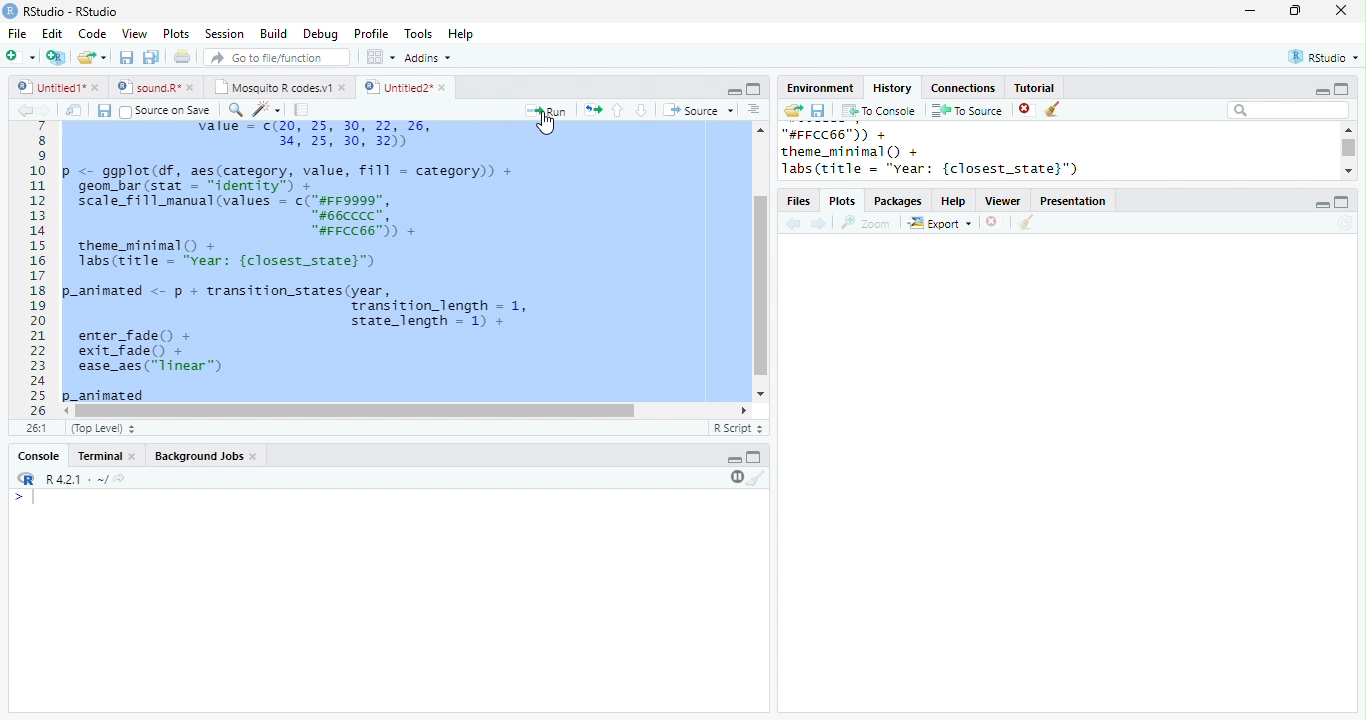 The height and width of the screenshot is (720, 1366). Describe the element at coordinates (290, 200) in the screenshot. I see `p <- ggplot(df, aes(category, value, fill = category)) +geom_bar (stat = “identity” +scale_fill_manual (values = c("#FF9999",#66cCCC”,“#FFCC66")) +` at that location.